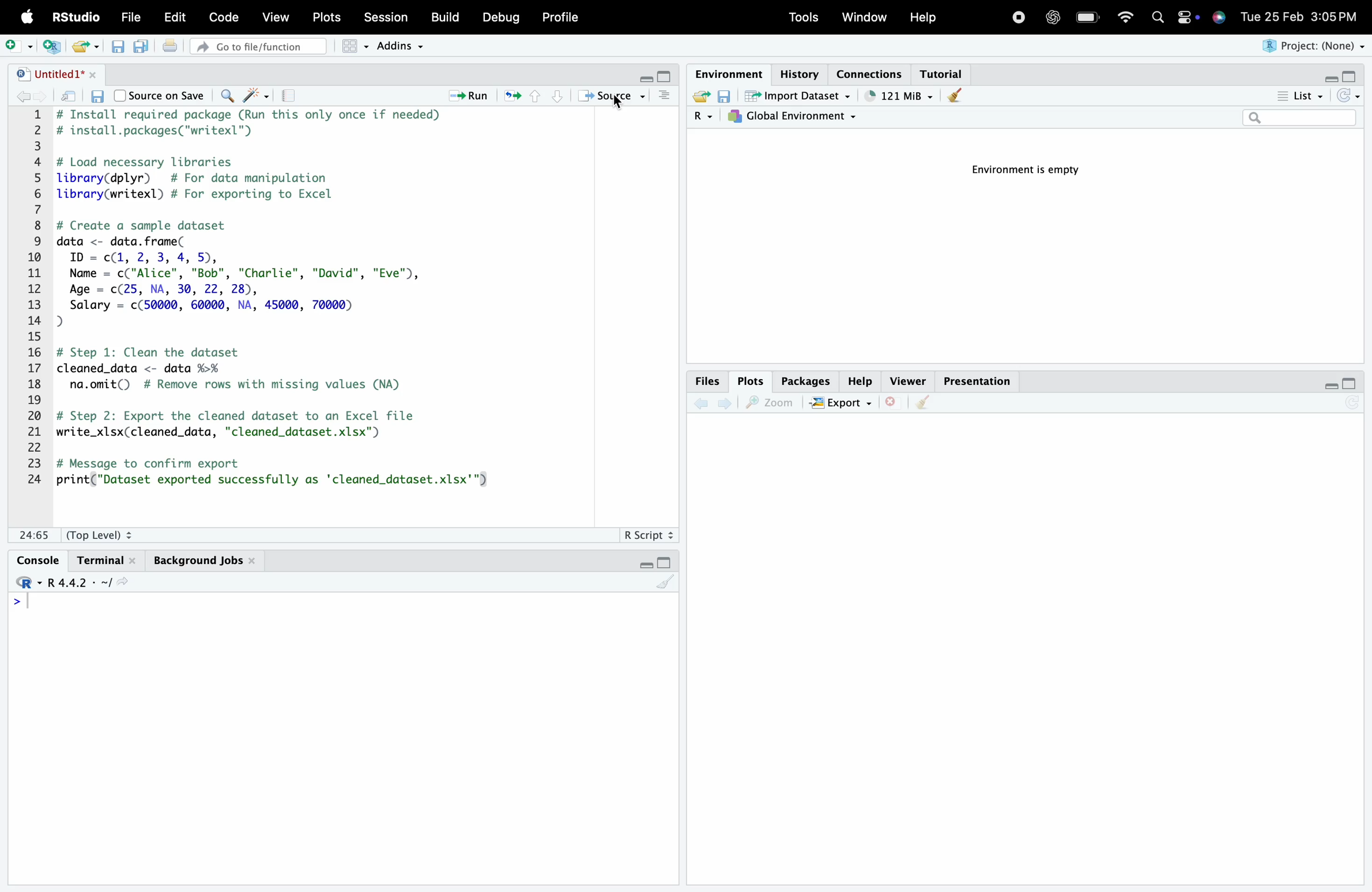 The width and height of the screenshot is (1372, 892). Describe the element at coordinates (647, 79) in the screenshot. I see `Minimize` at that location.